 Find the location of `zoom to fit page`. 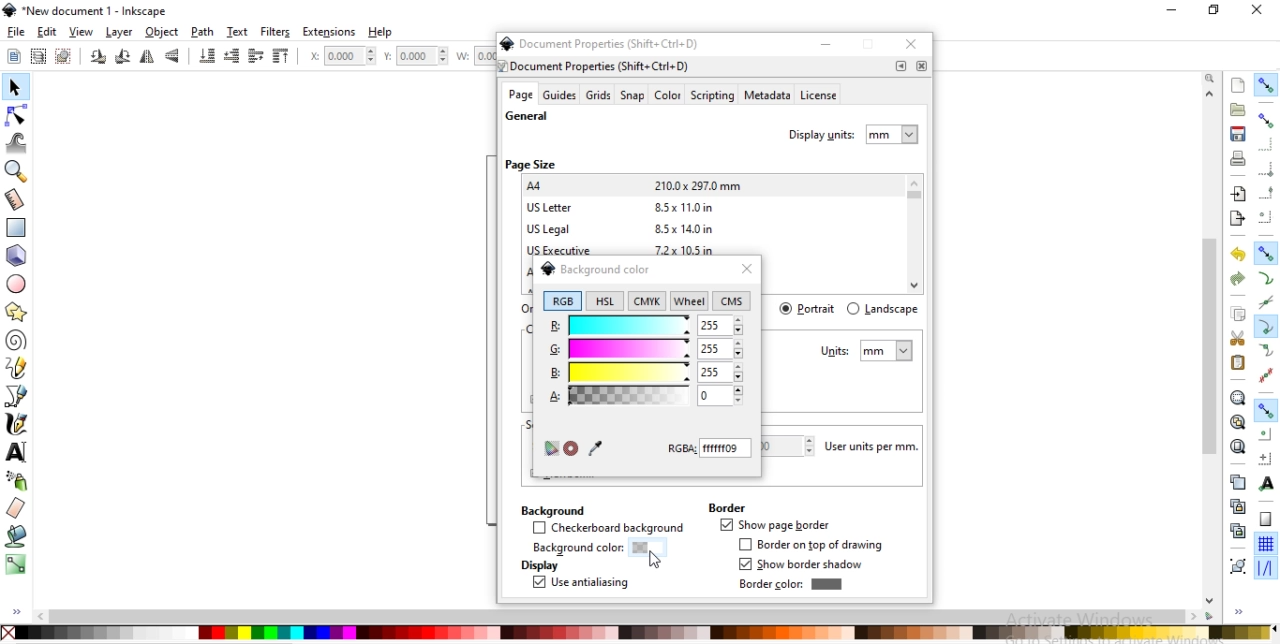

zoom to fit page is located at coordinates (1237, 446).